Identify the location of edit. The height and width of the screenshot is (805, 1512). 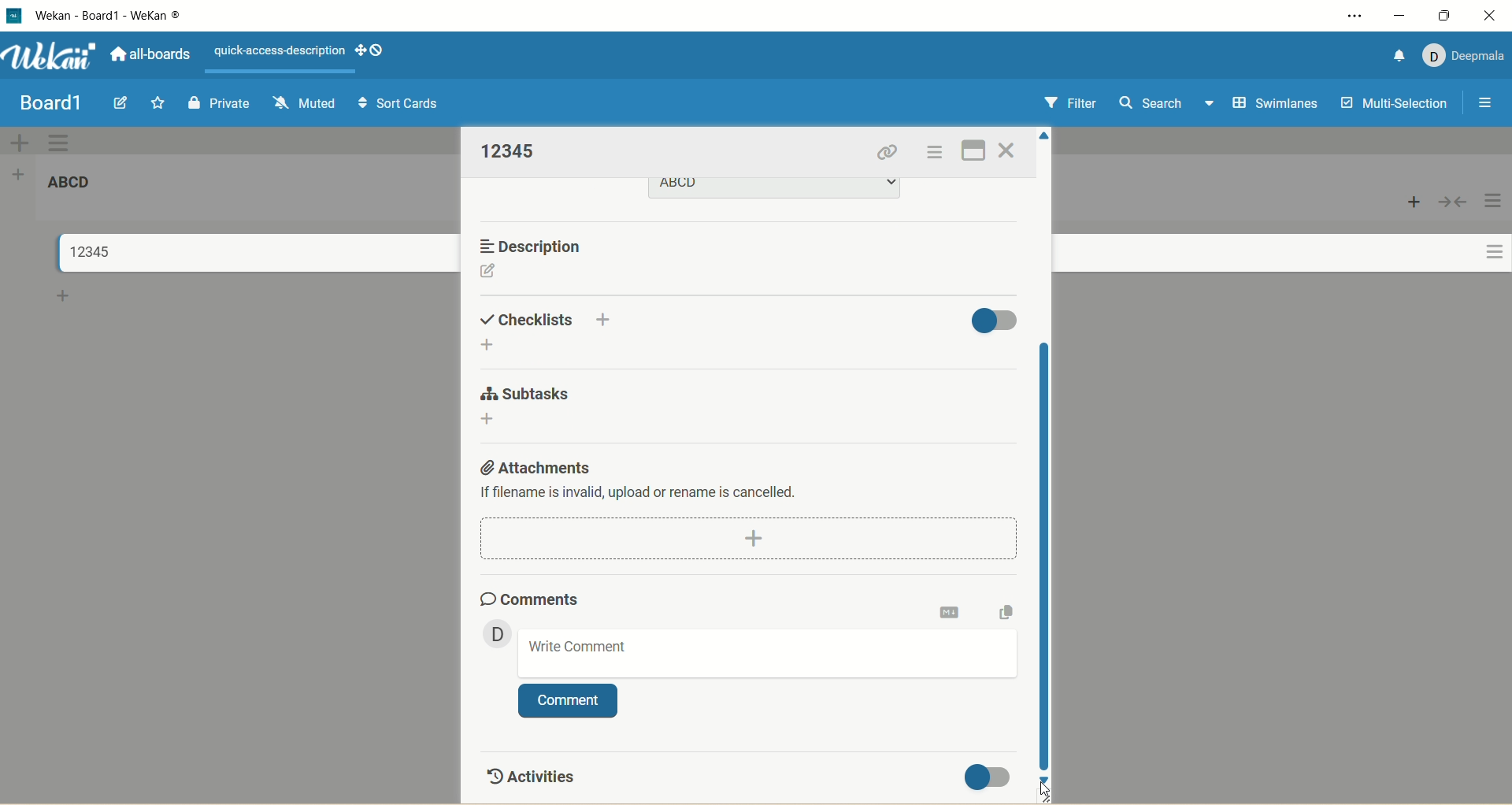
(120, 103).